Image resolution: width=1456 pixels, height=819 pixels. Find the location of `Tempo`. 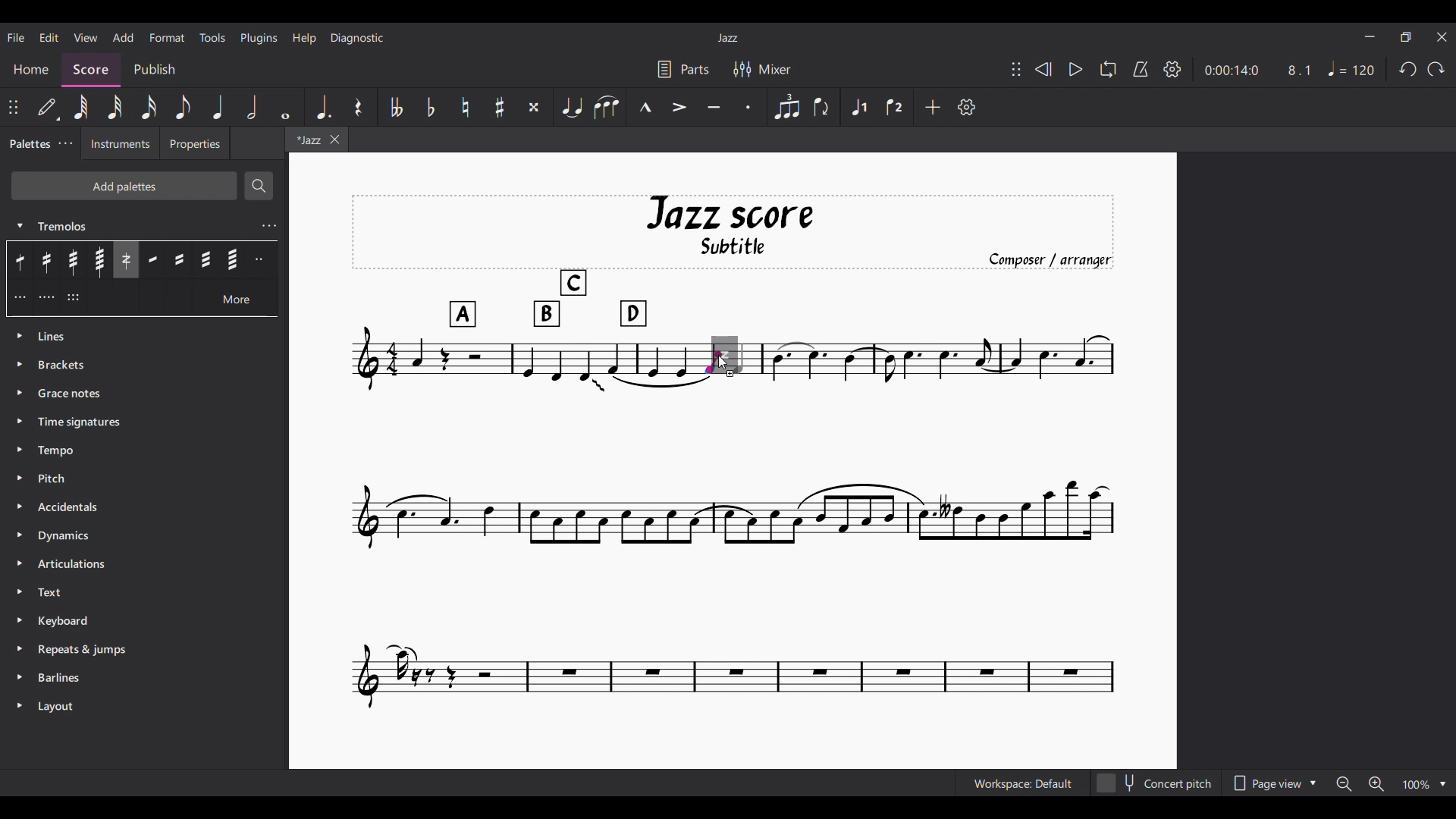

Tempo is located at coordinates (1351, 68).